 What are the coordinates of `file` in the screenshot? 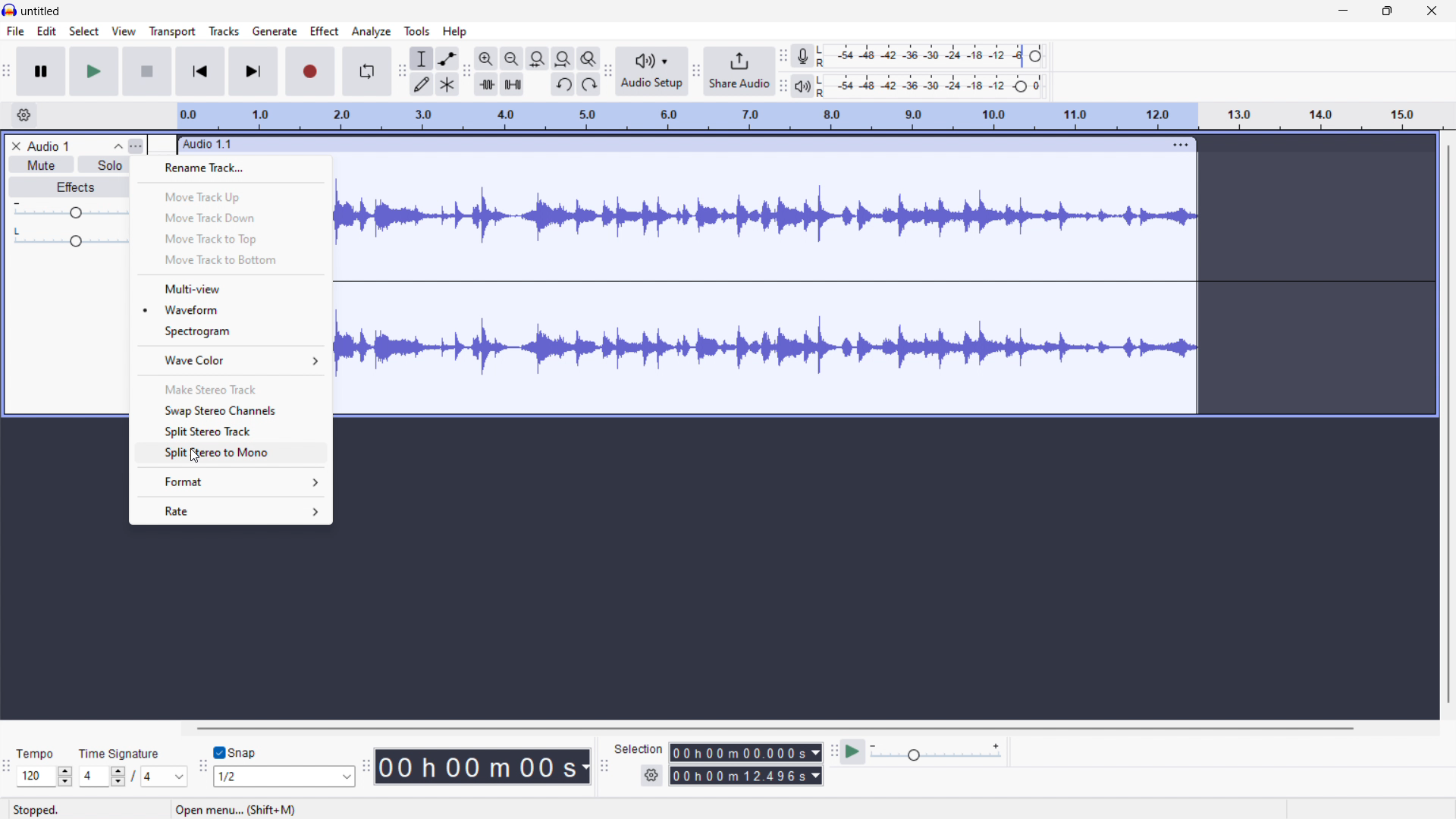 It's located at (16, 31).